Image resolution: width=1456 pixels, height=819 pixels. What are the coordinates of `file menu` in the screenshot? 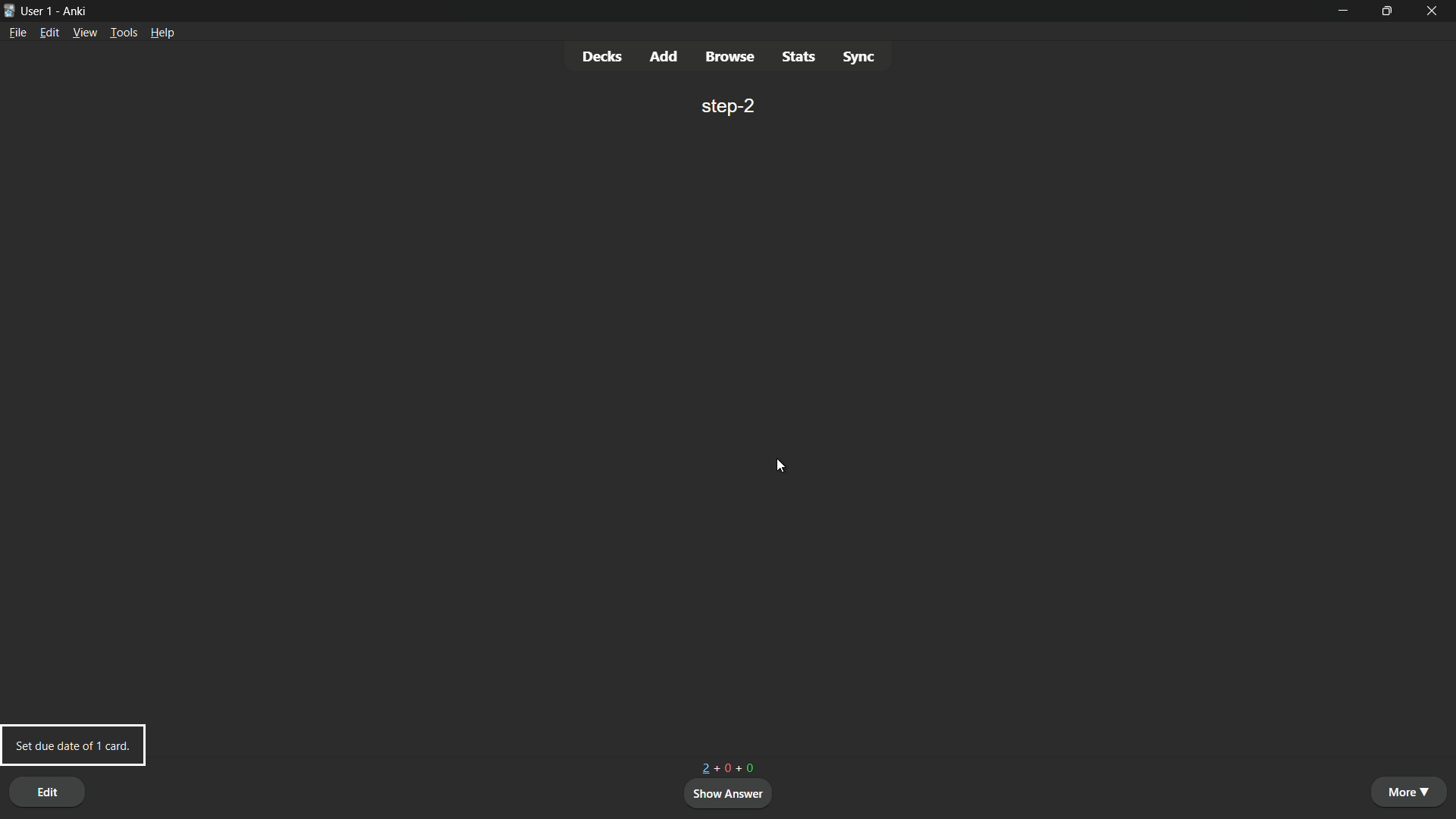 It's located at (17, 33).